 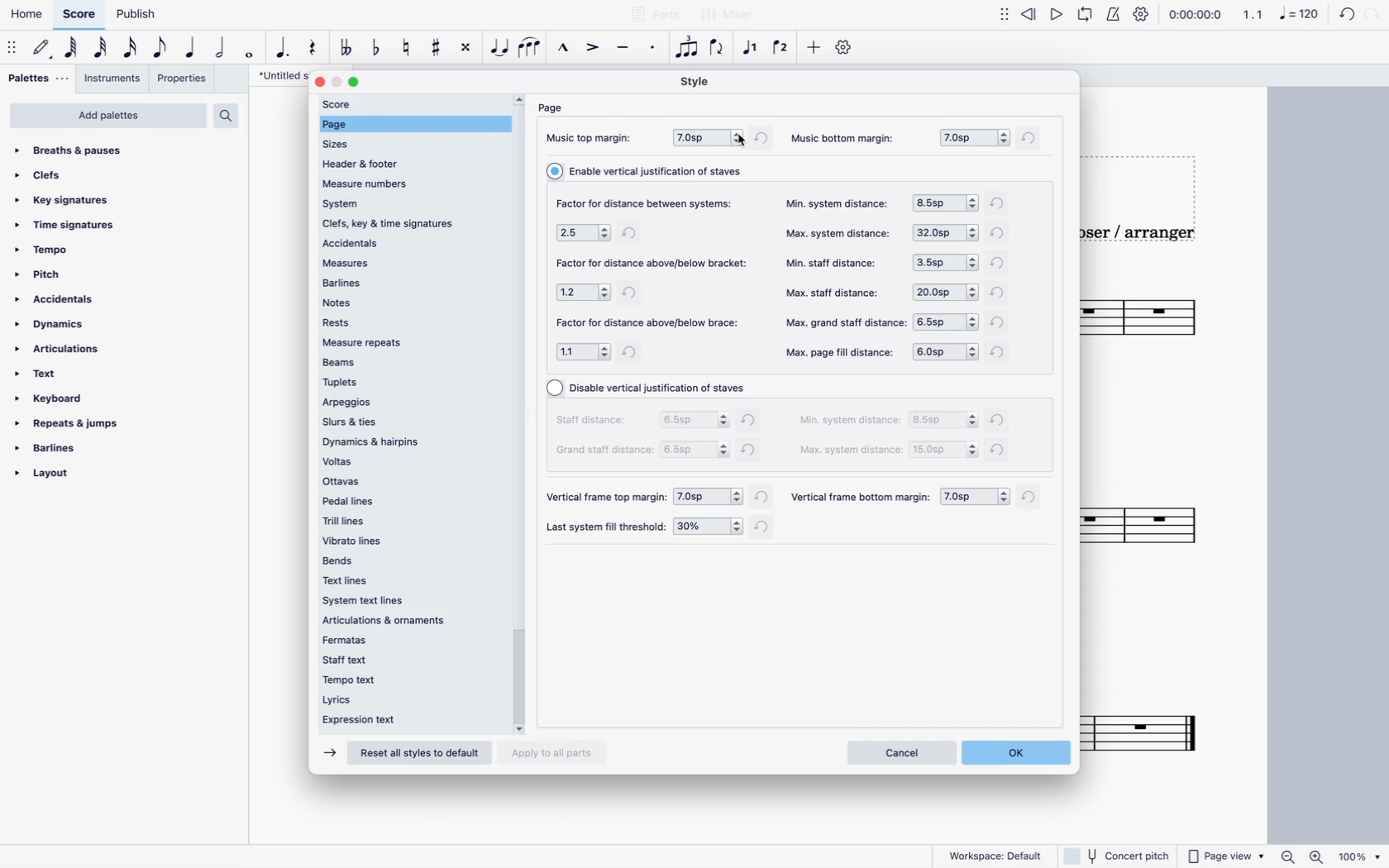 What do you see at coordinates (375, 602) in the screenshot?
I see `system text lines` at bounding box center [375, 602].